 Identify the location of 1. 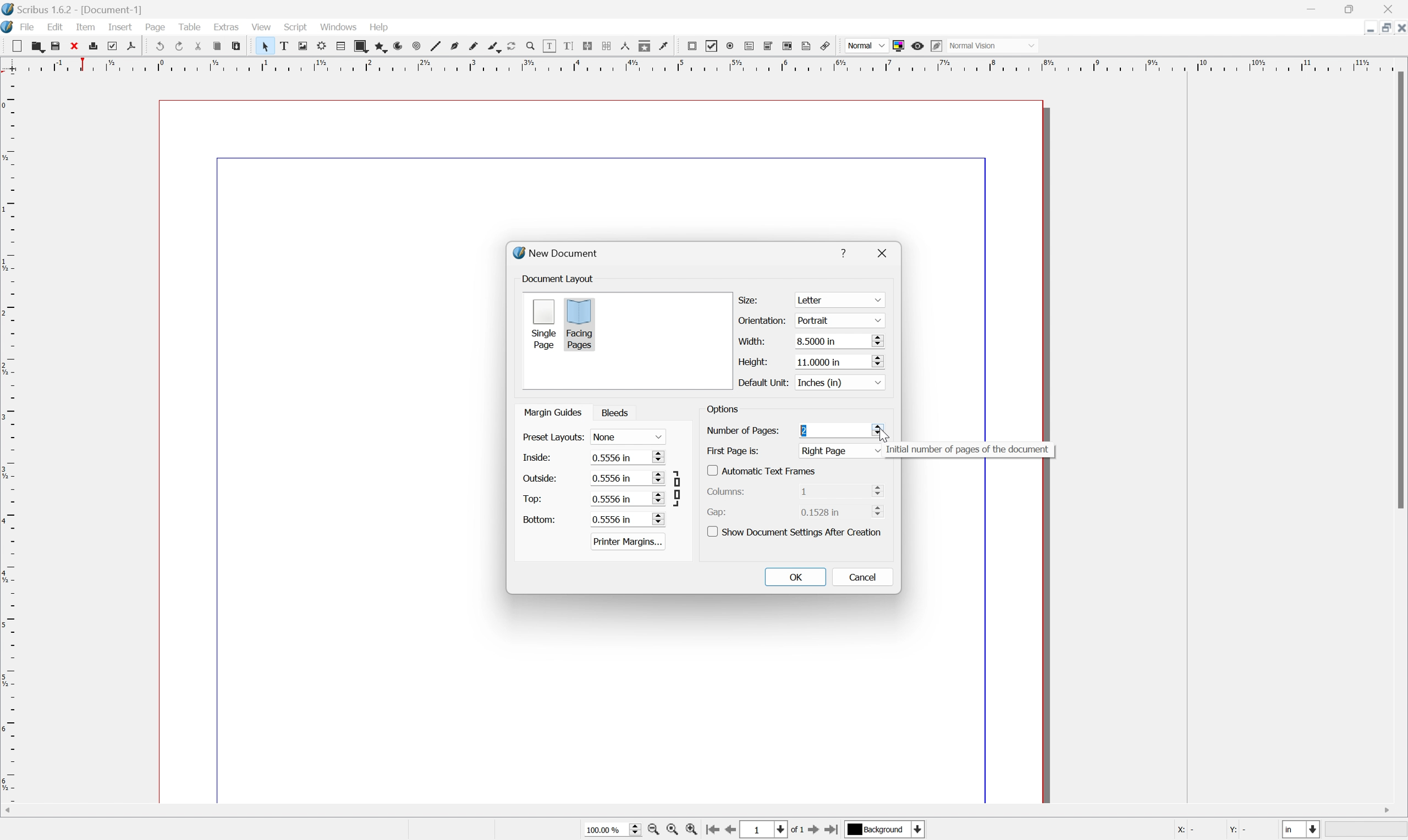
(765, 829).